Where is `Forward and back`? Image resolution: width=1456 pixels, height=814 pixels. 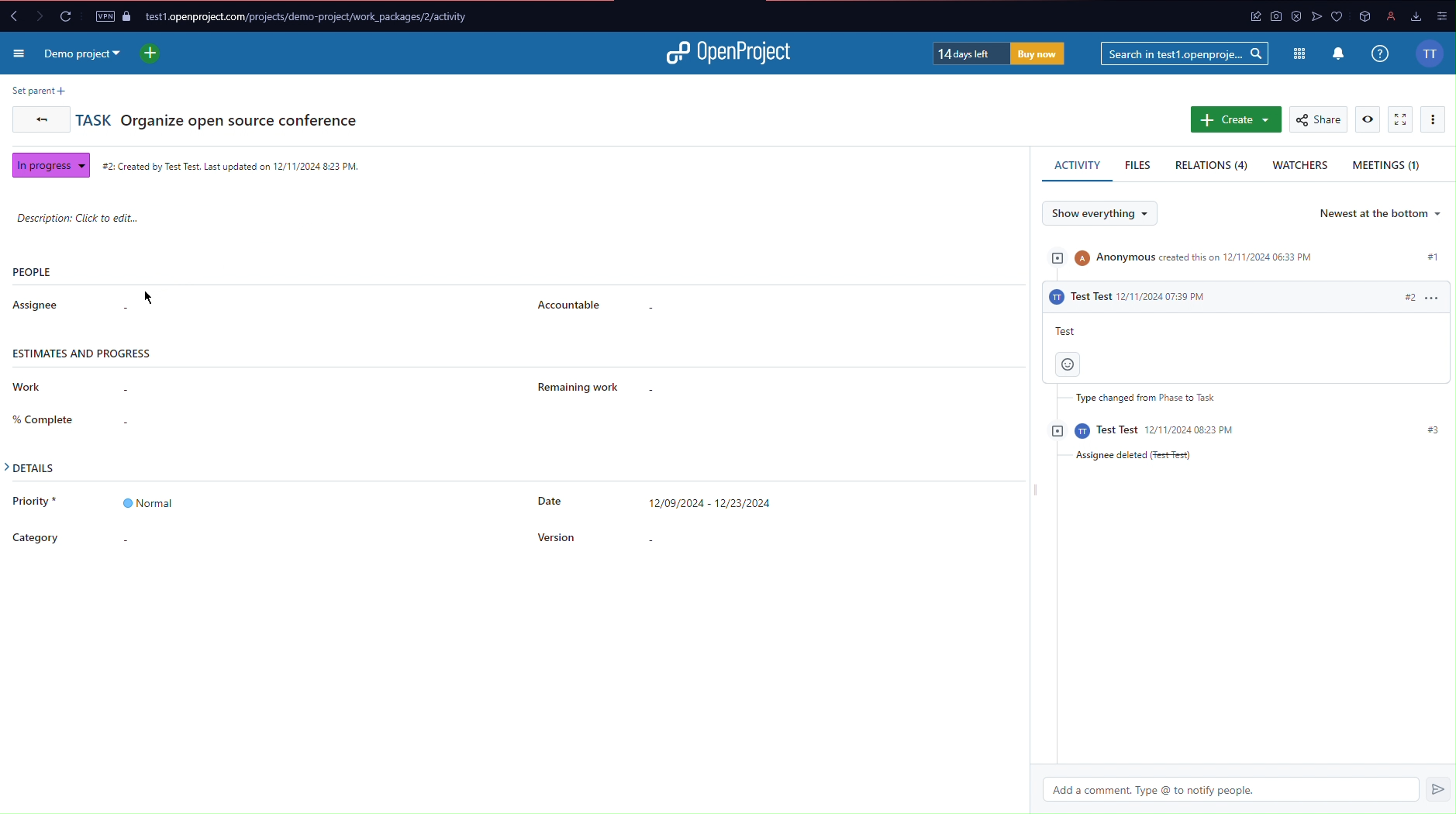 Forward and back is located at coordinates (30, 17).